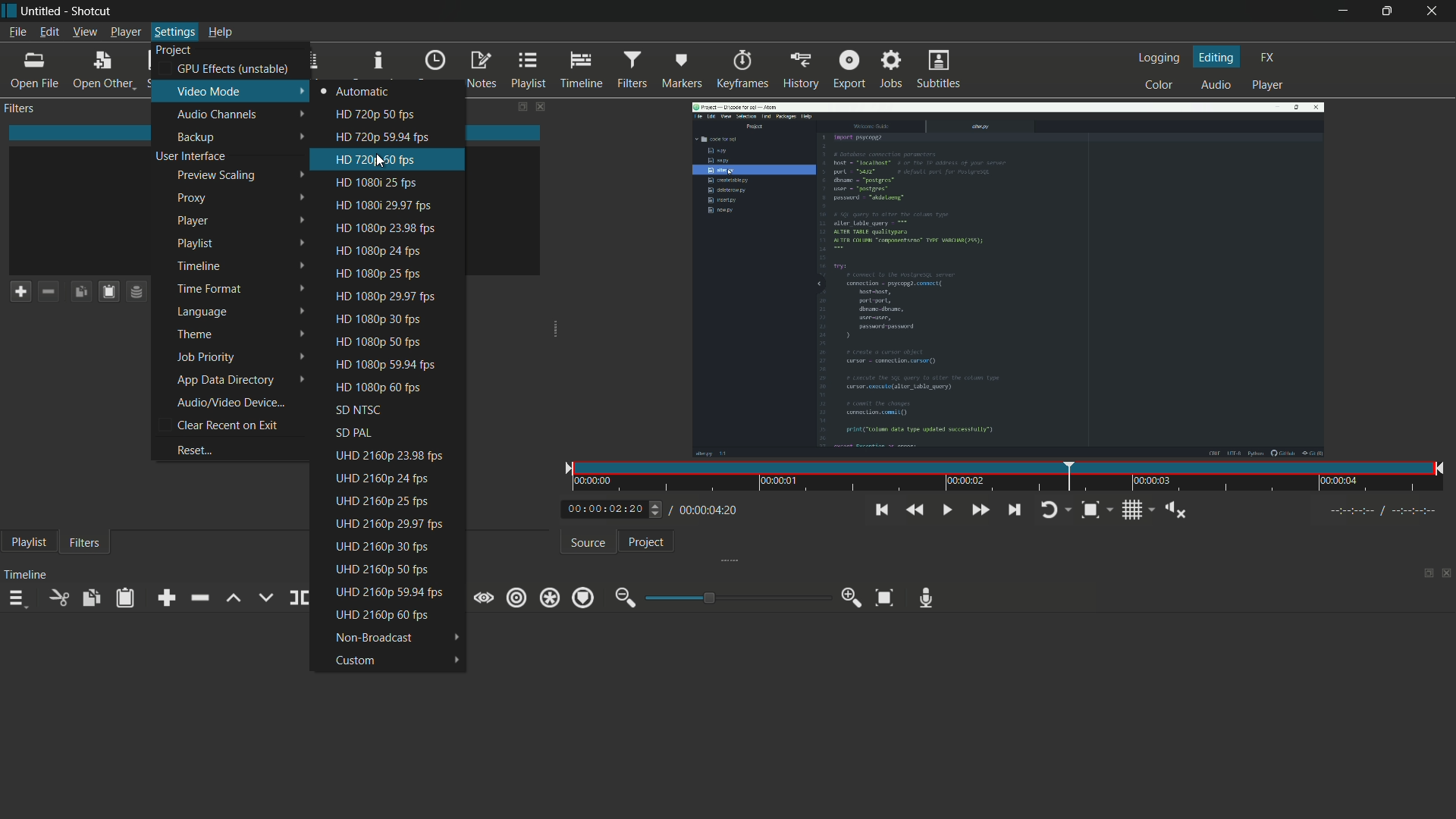 This screenshot has height=819, width=1456. What do you see at coordinates (1178, 510) in the screenshot?
I see `show volume control` at bounding box center [1178, 510].